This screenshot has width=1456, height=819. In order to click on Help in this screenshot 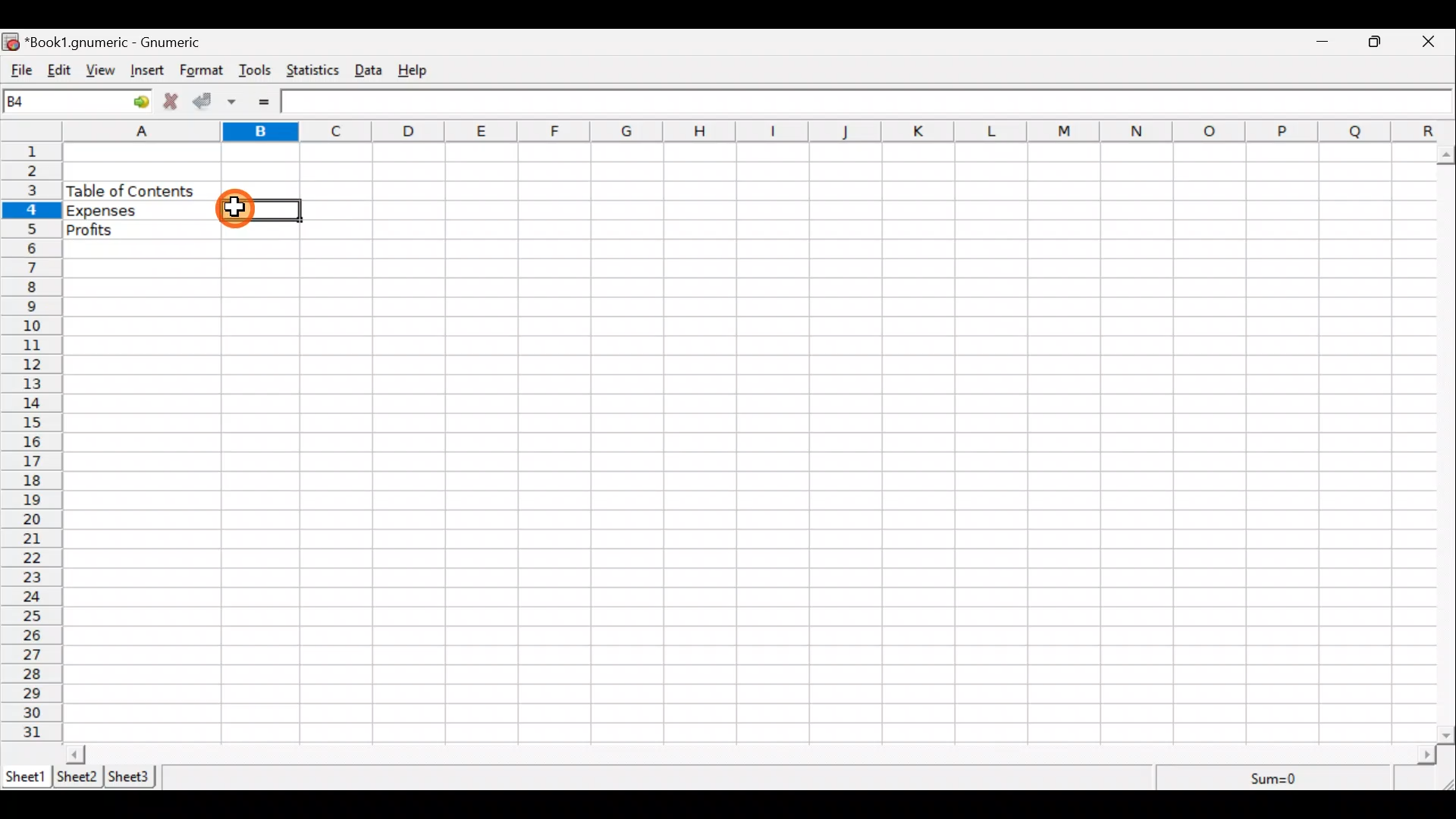, I will do `click(420, 71)`.